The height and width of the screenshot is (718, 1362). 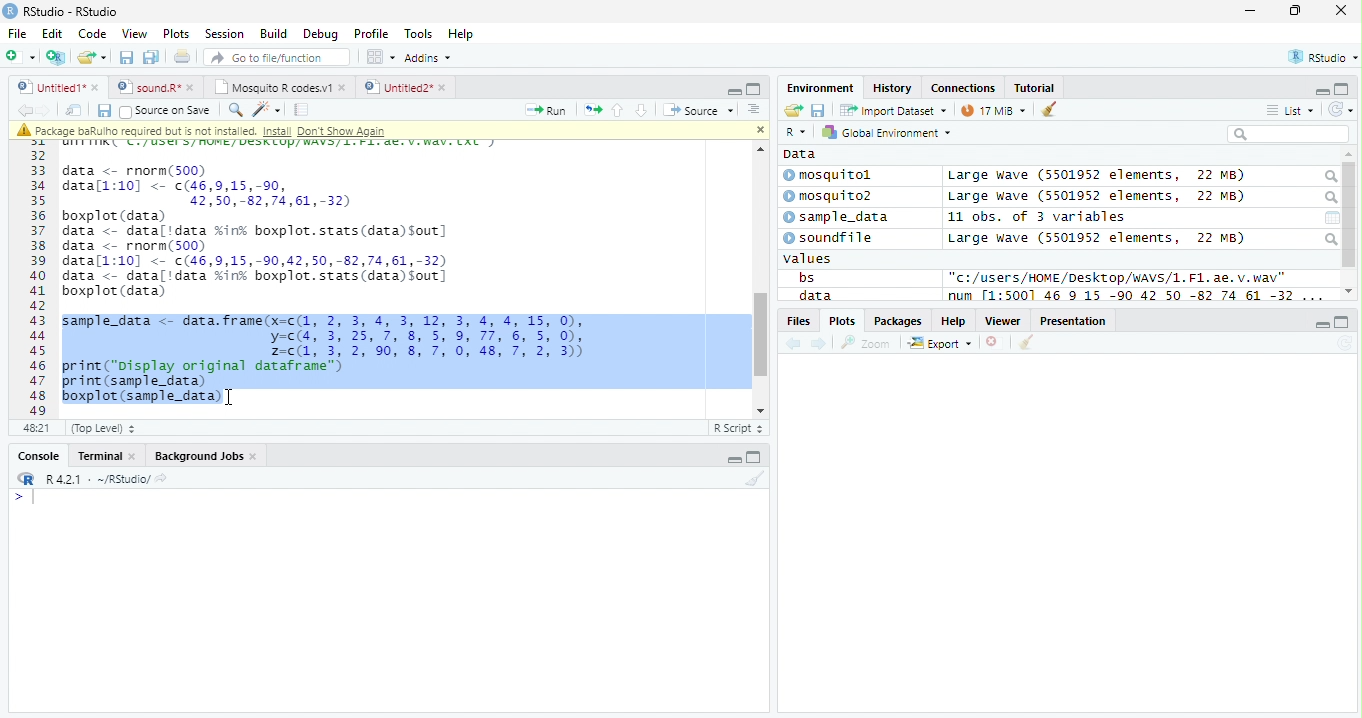 What do you see at coordinates (224, 33) in the screenshot?
I see `Session` at bounding box center [224, 33].